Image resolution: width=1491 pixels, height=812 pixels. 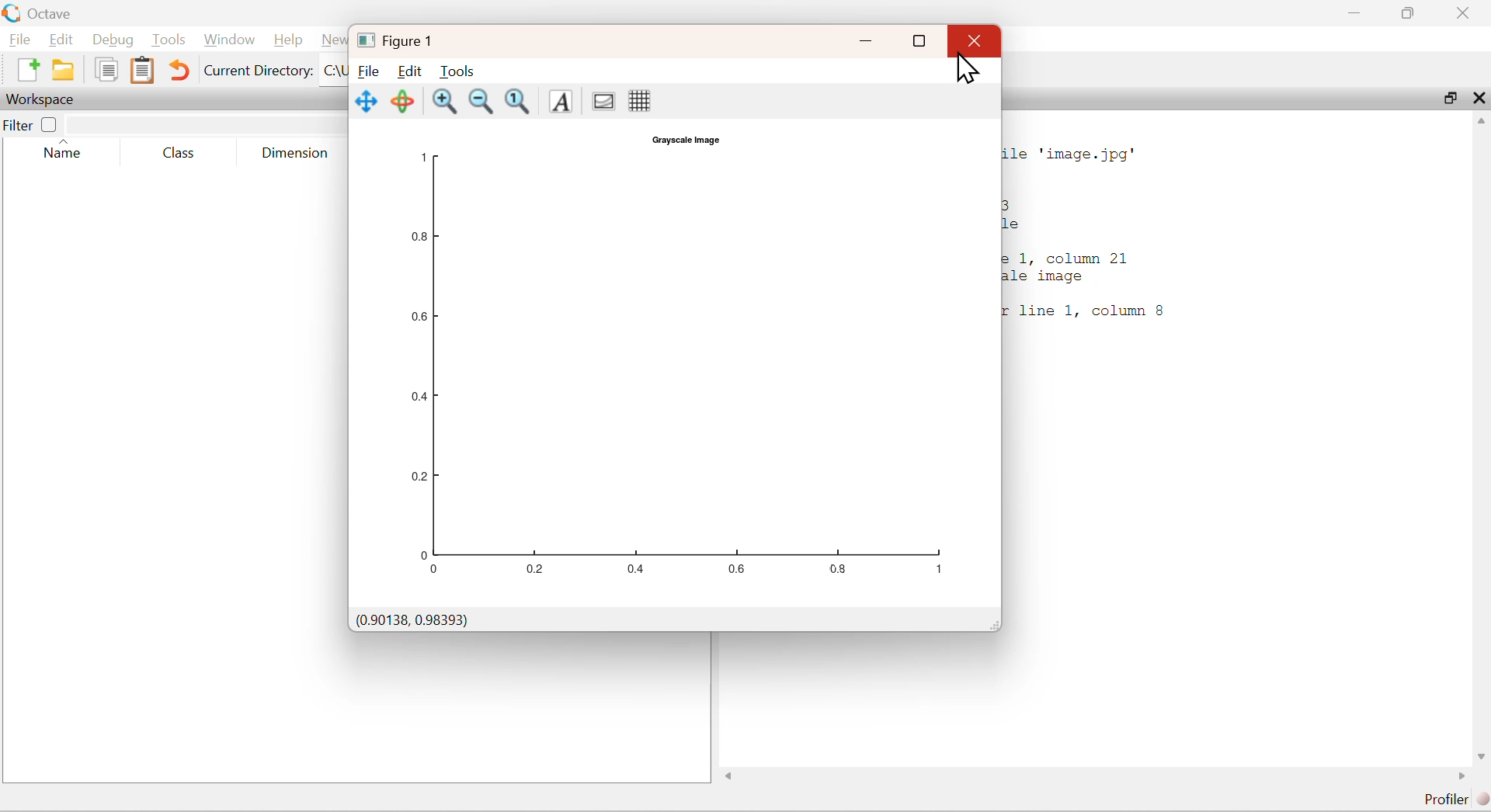 What do you see at coordinates (974, 40) in the screenshot?
I see `Close` at bounding box center [974, 40].